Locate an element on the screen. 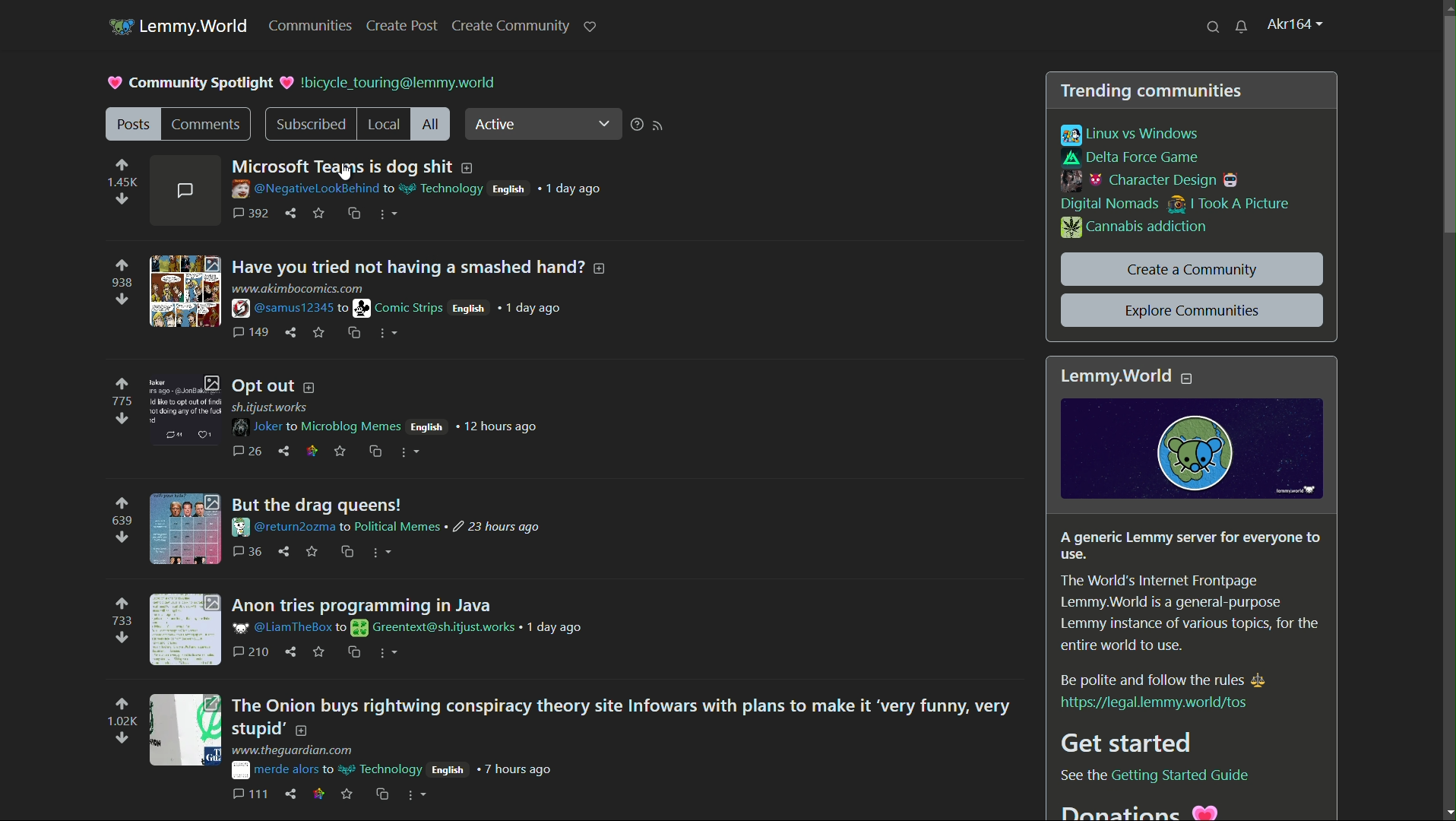 This screenshot has width=1456, height=821. e is located at coordinates (314, 550).